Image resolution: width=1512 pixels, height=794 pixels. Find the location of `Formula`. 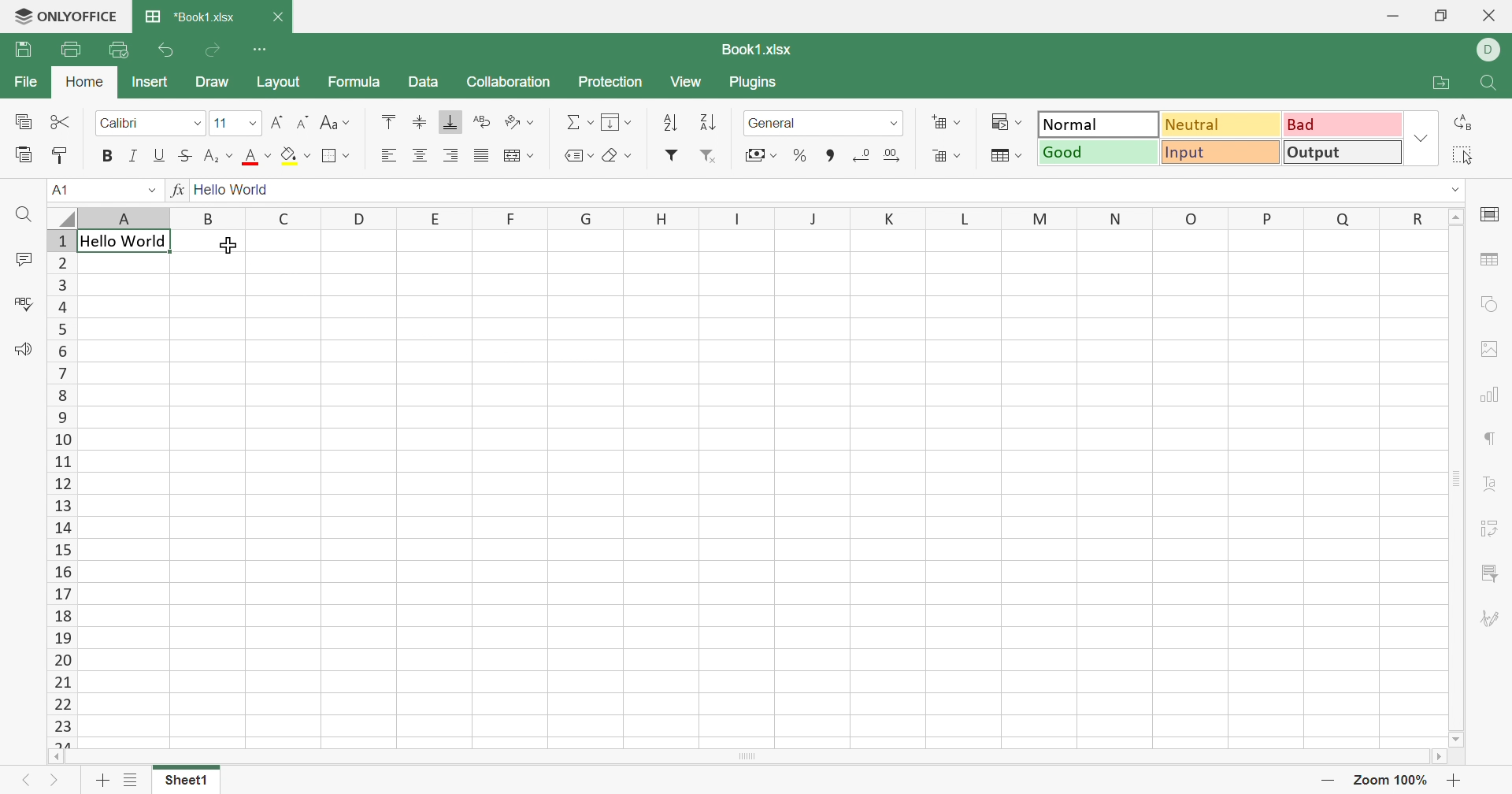

Formula is located at coordinates (350, 82).